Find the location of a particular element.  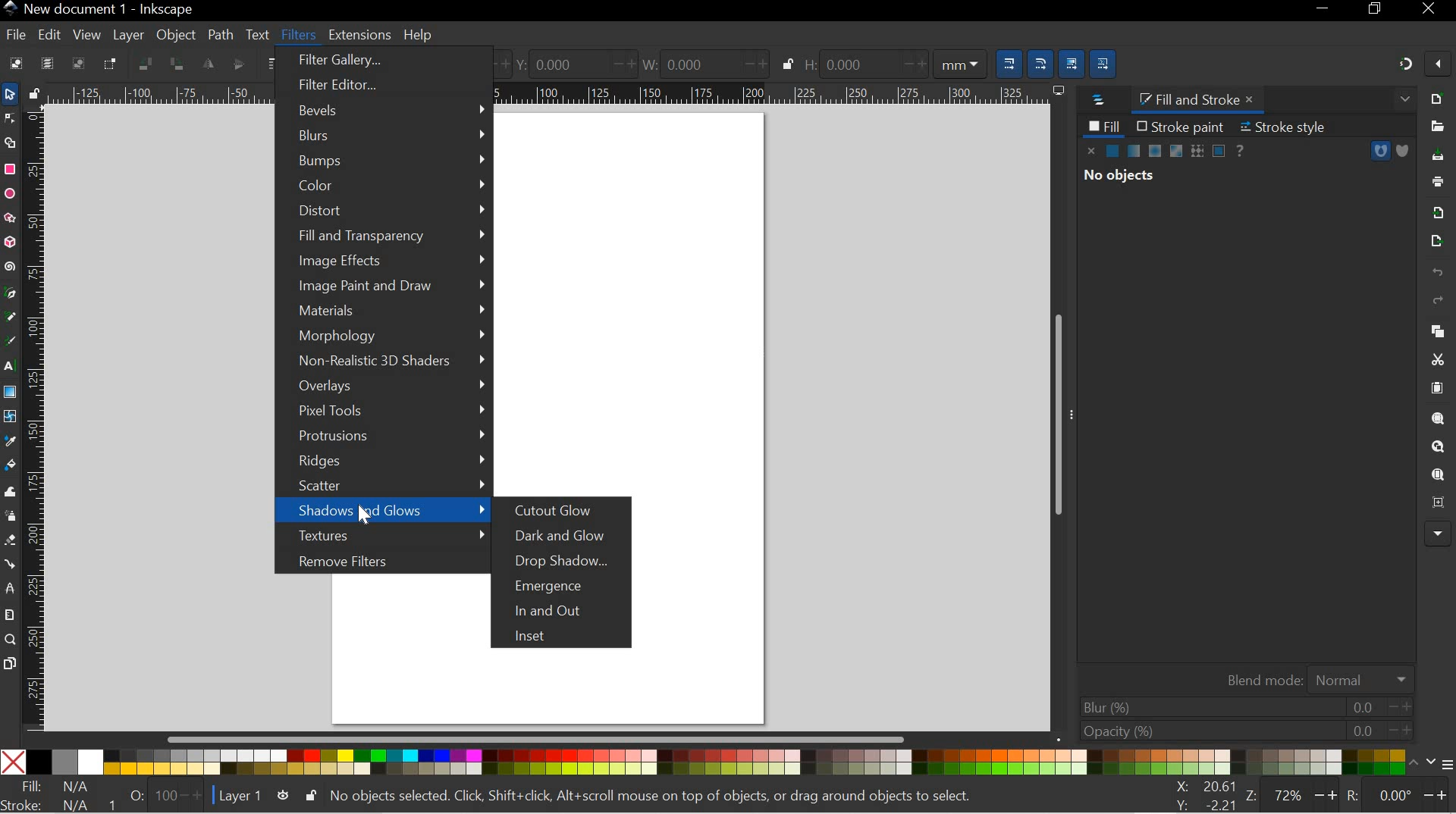

BLURS is located at coordinates (383, 136).